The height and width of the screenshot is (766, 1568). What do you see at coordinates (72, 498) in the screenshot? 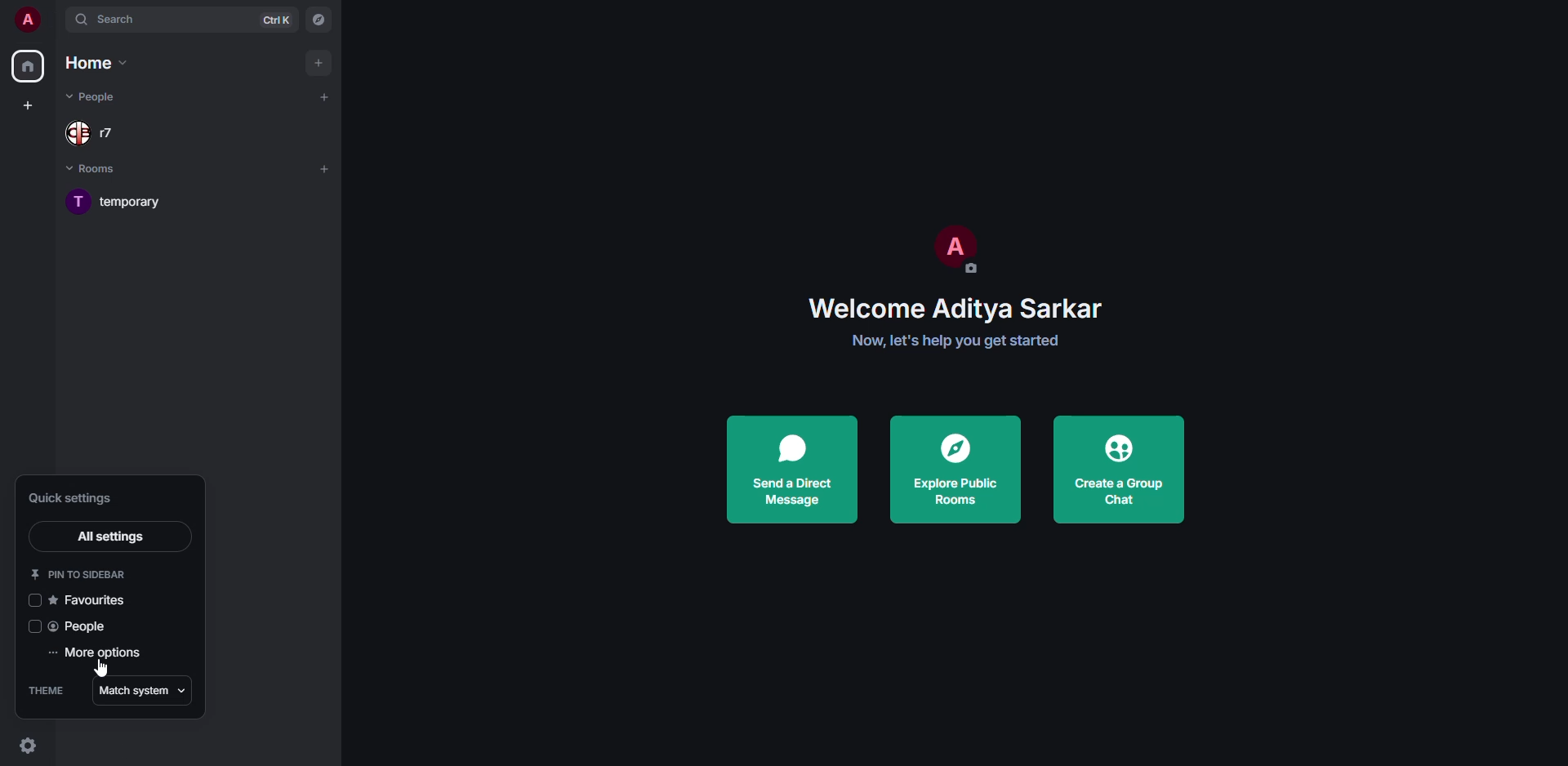
I see `quick settings` at bounding box center [72, 498].